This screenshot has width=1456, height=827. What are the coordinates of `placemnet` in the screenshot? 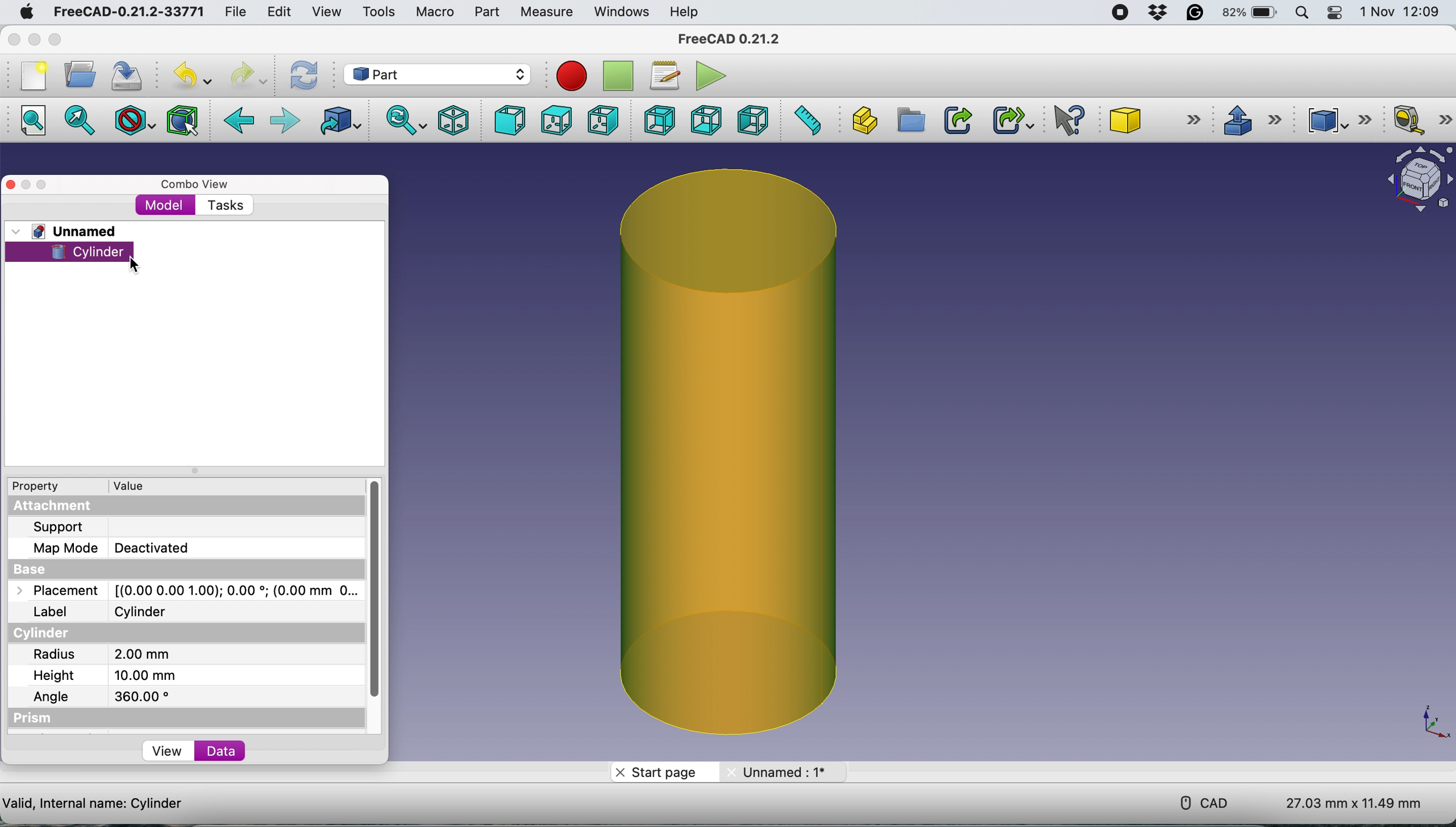 It's located at (190, 590).